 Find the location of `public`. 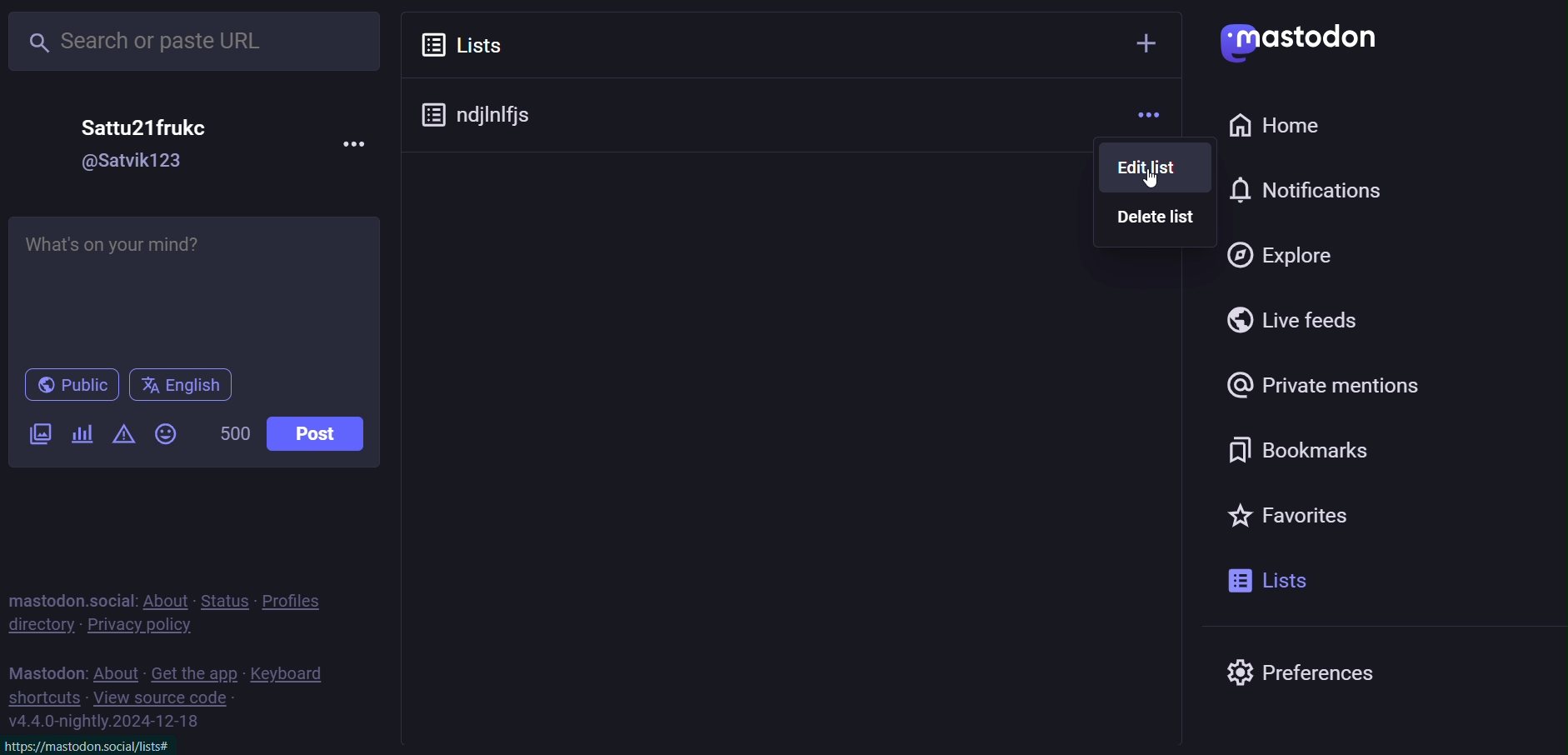

public is located at coordinates (69, 384).